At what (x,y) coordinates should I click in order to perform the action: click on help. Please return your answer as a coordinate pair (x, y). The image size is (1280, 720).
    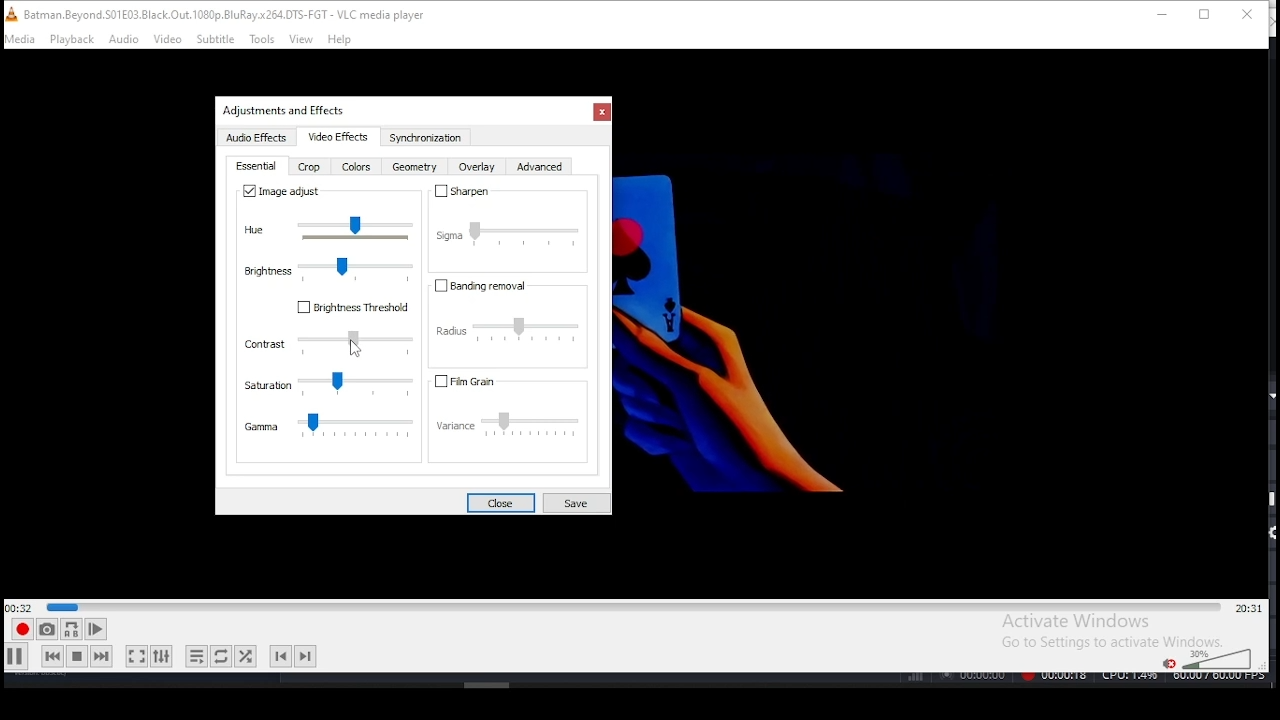
    Looking at the image, I should click on (339, 39).